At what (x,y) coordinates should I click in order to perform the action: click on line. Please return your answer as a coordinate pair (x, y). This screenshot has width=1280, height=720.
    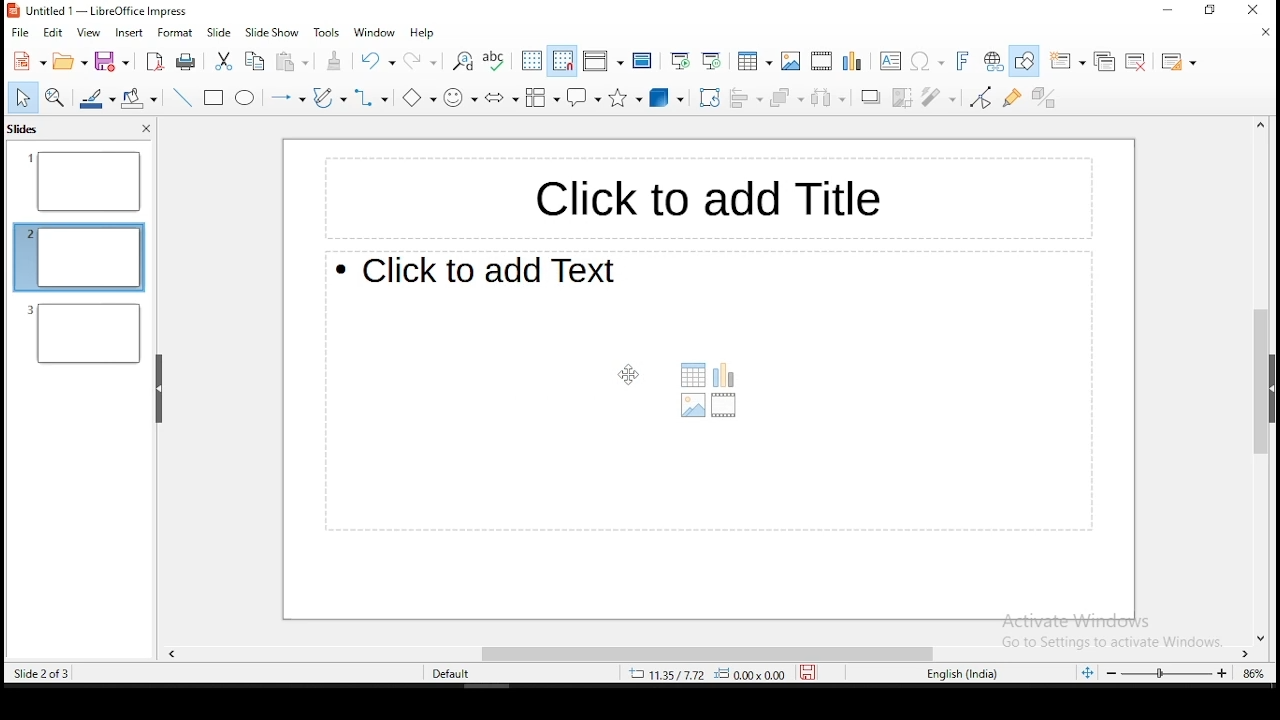
    Looking at the image, I should click on (184, 98).